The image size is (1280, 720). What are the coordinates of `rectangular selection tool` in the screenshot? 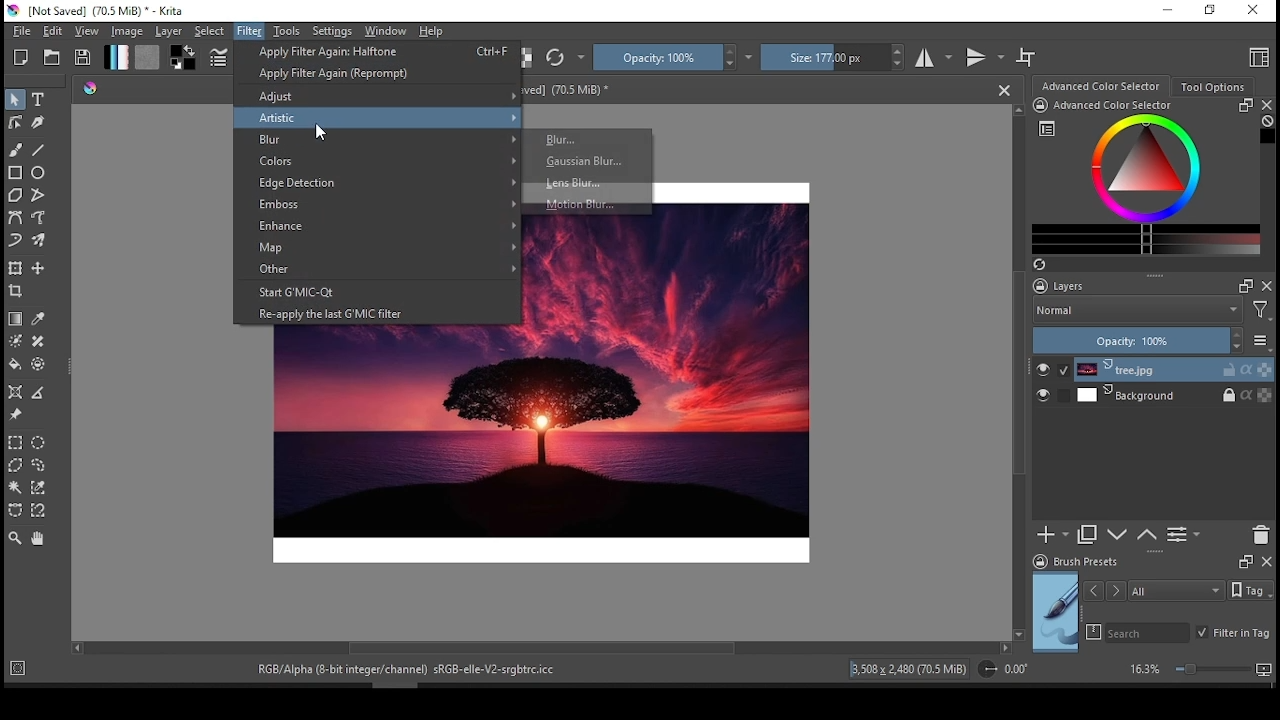 It's located at (16, 443).